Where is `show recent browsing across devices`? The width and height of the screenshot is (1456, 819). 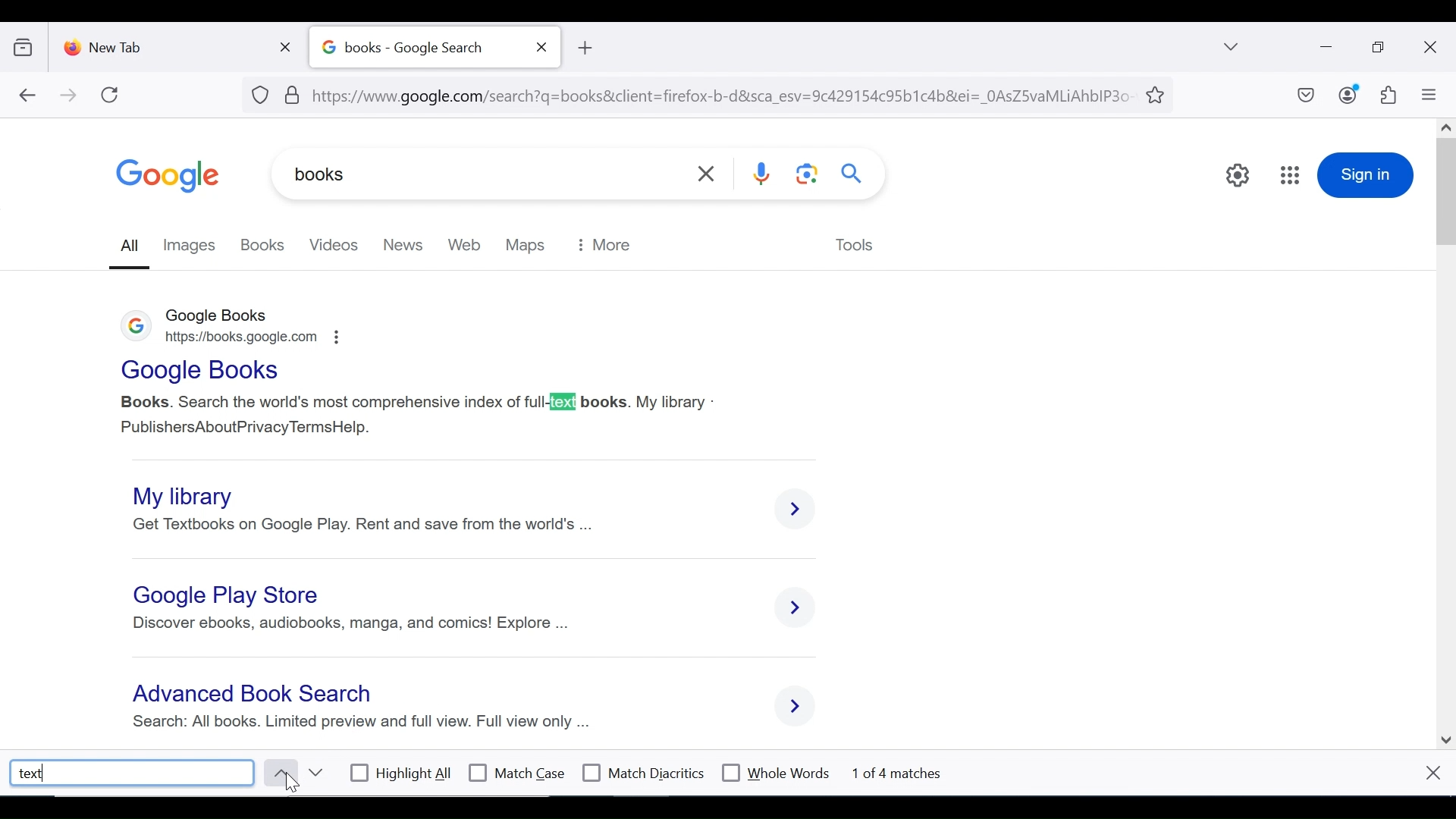 show recent browsing across devices is located at coordinates (27, 45).